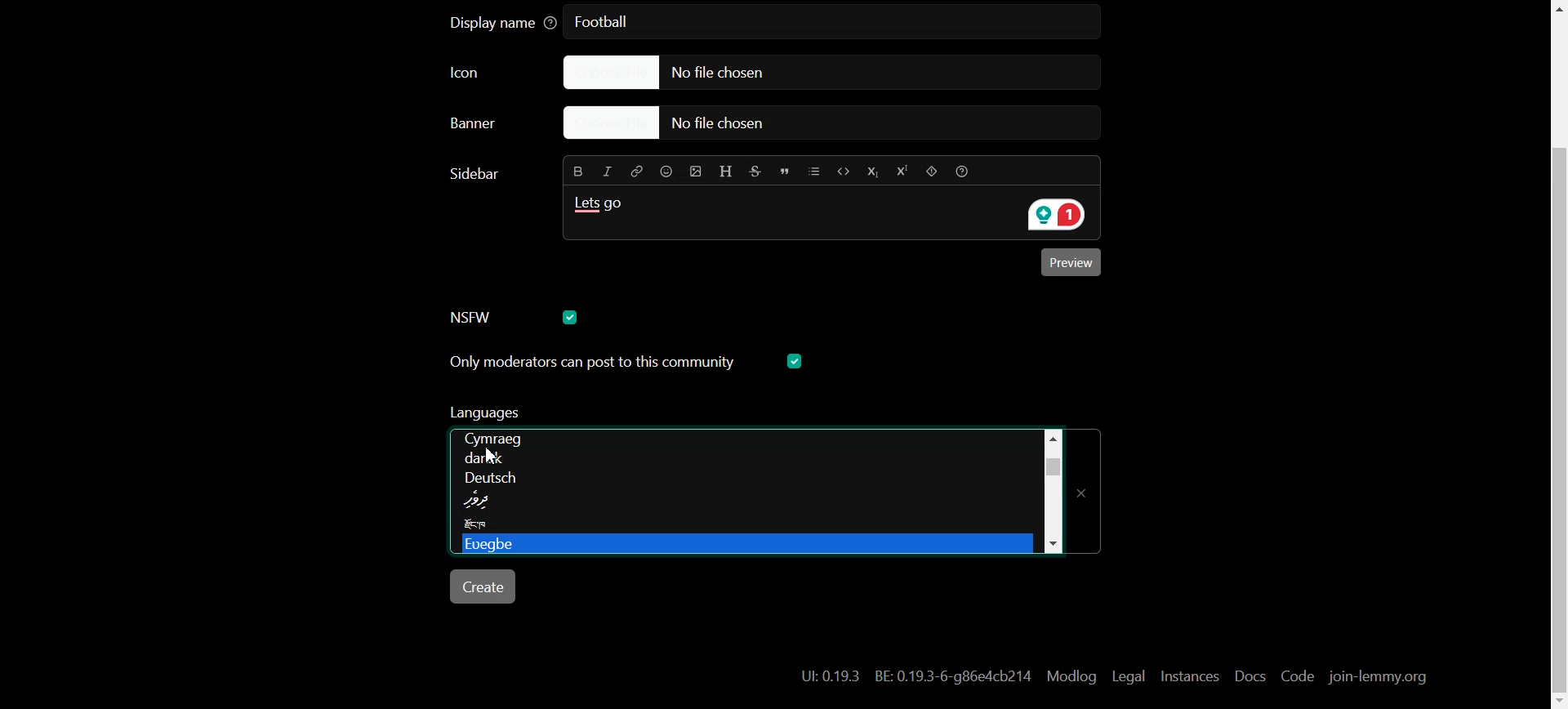  Describe the element at coordinates (628, 414) in the screenshot. I see `Only moderators can post to this community` at that location.